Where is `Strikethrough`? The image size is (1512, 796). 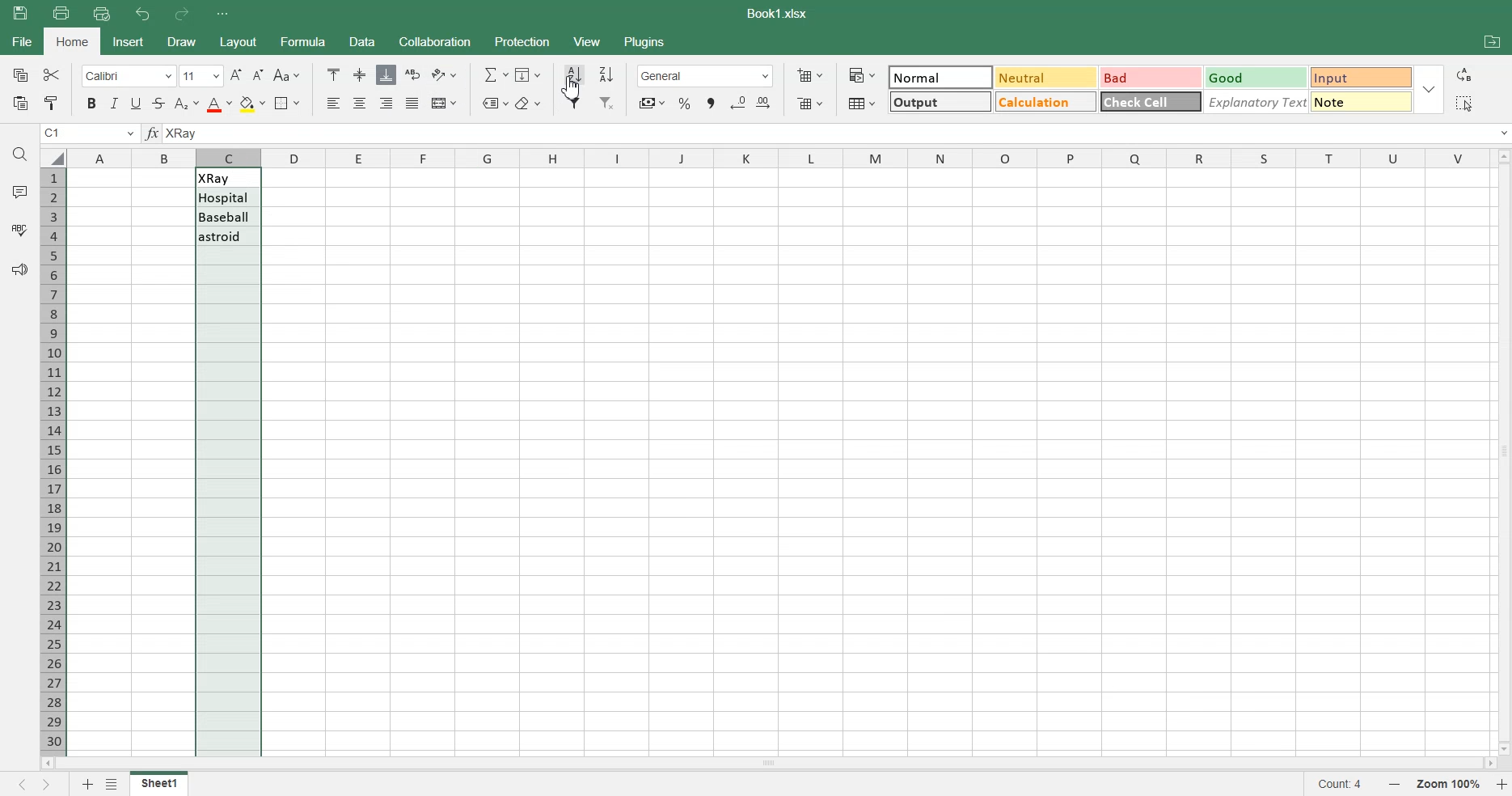 Strikethrough is located at coordinates (158, 103).